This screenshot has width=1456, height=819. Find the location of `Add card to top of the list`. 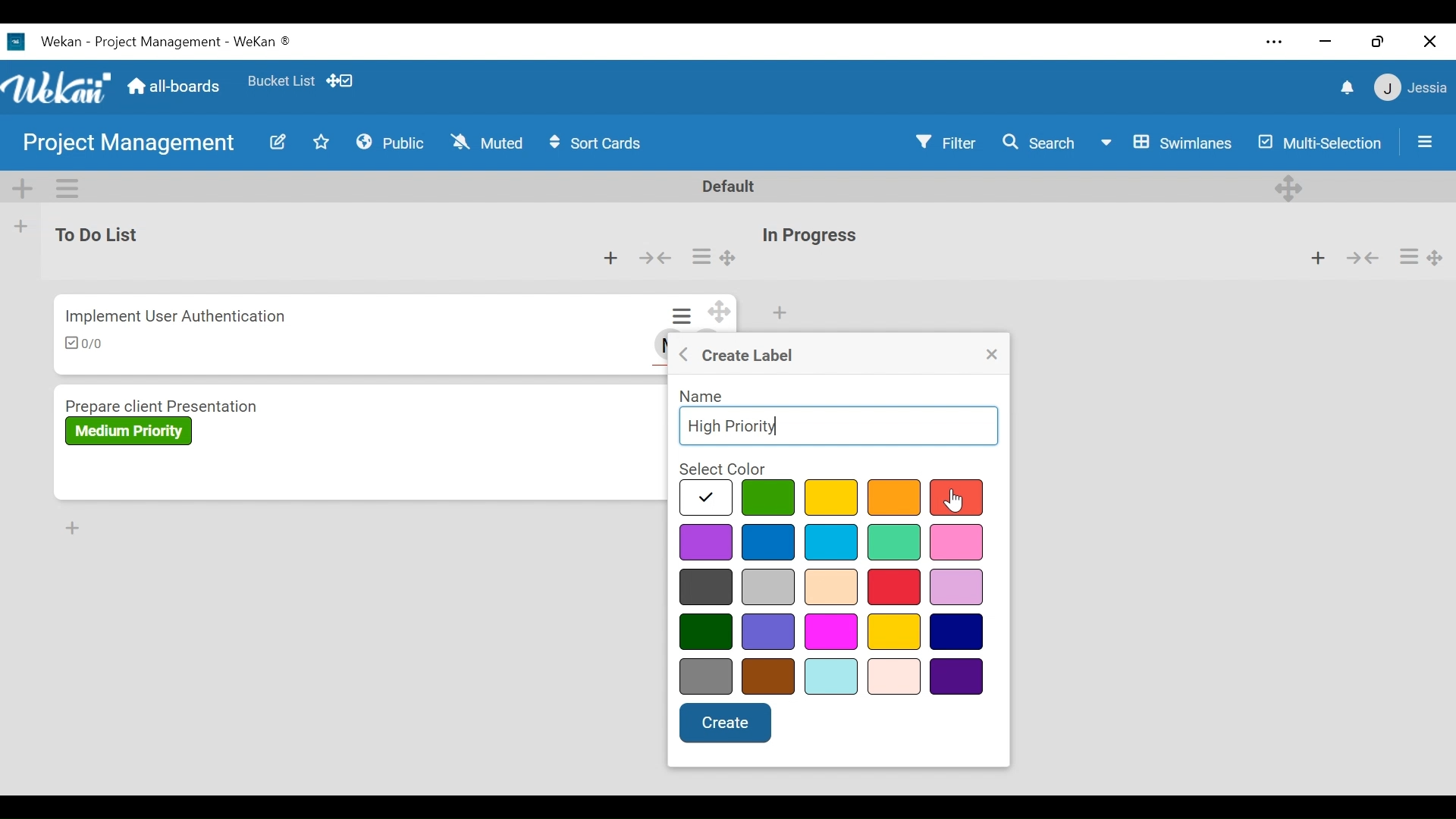

Add card to top of the list is located at coordinates (611, 259).